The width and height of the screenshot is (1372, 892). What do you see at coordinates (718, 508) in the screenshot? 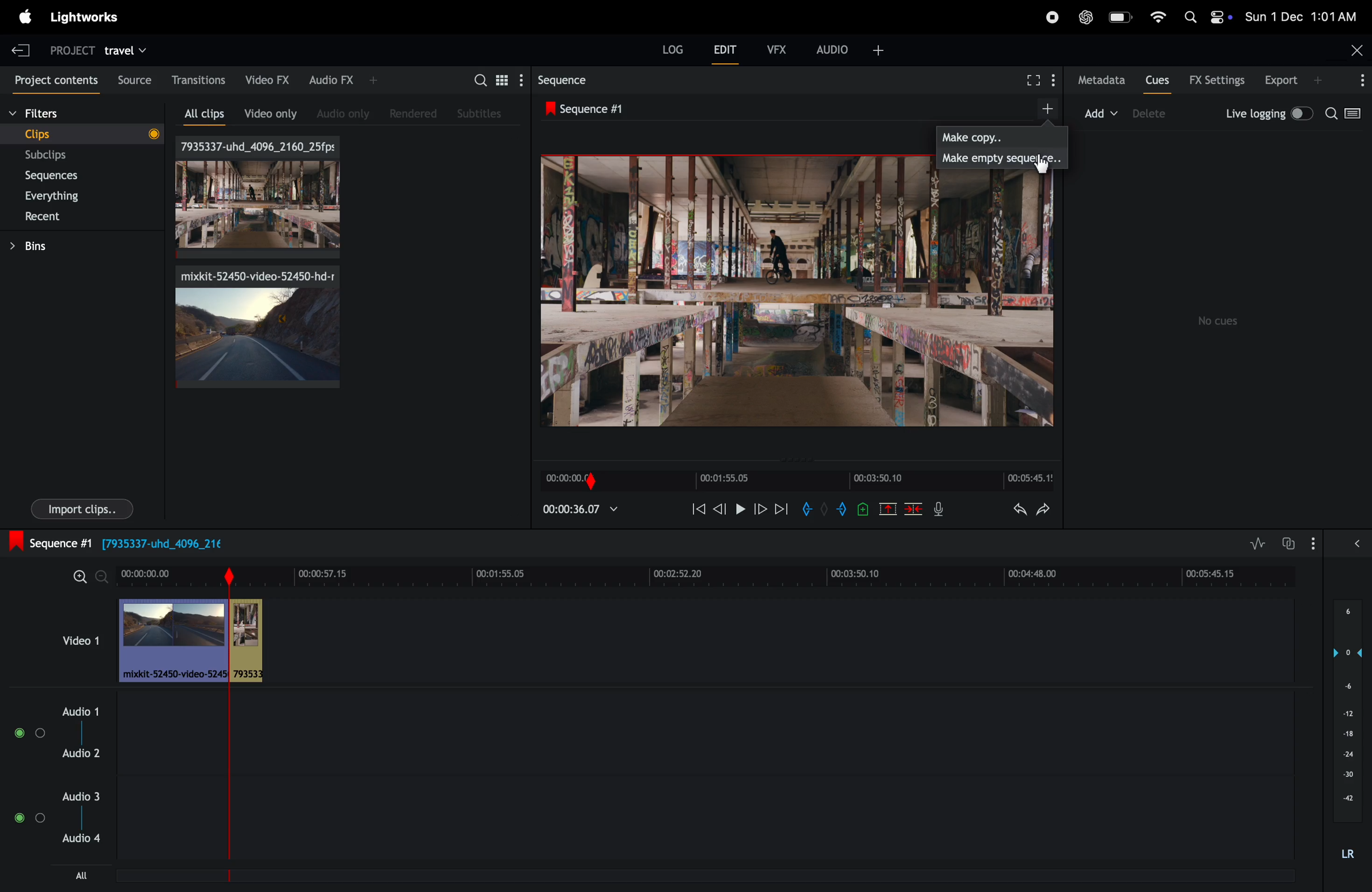
I see `next frame` at bounding box center [718, 508].